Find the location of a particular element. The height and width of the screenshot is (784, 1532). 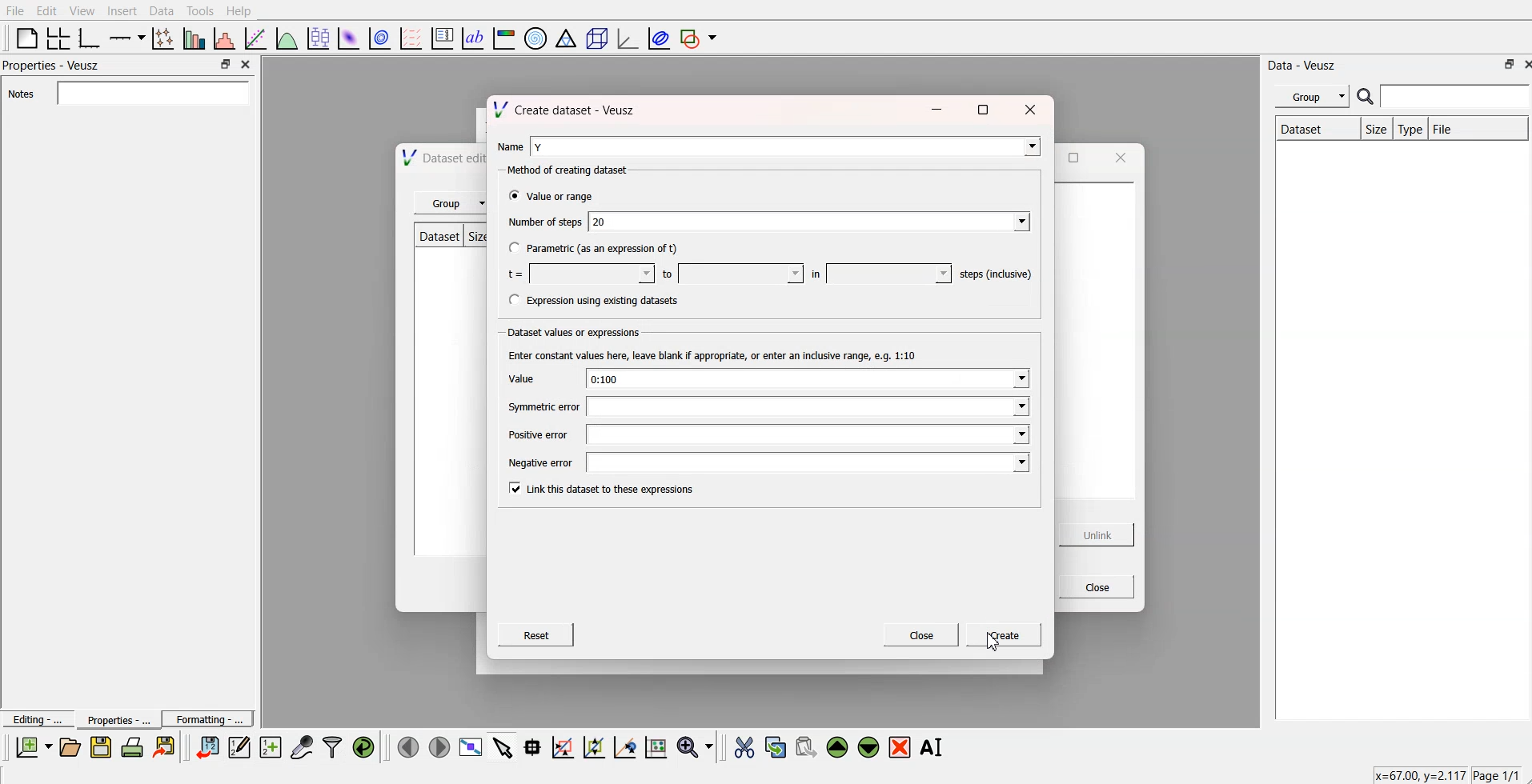

add an axis to the plot is located at coordinates (127, 37).